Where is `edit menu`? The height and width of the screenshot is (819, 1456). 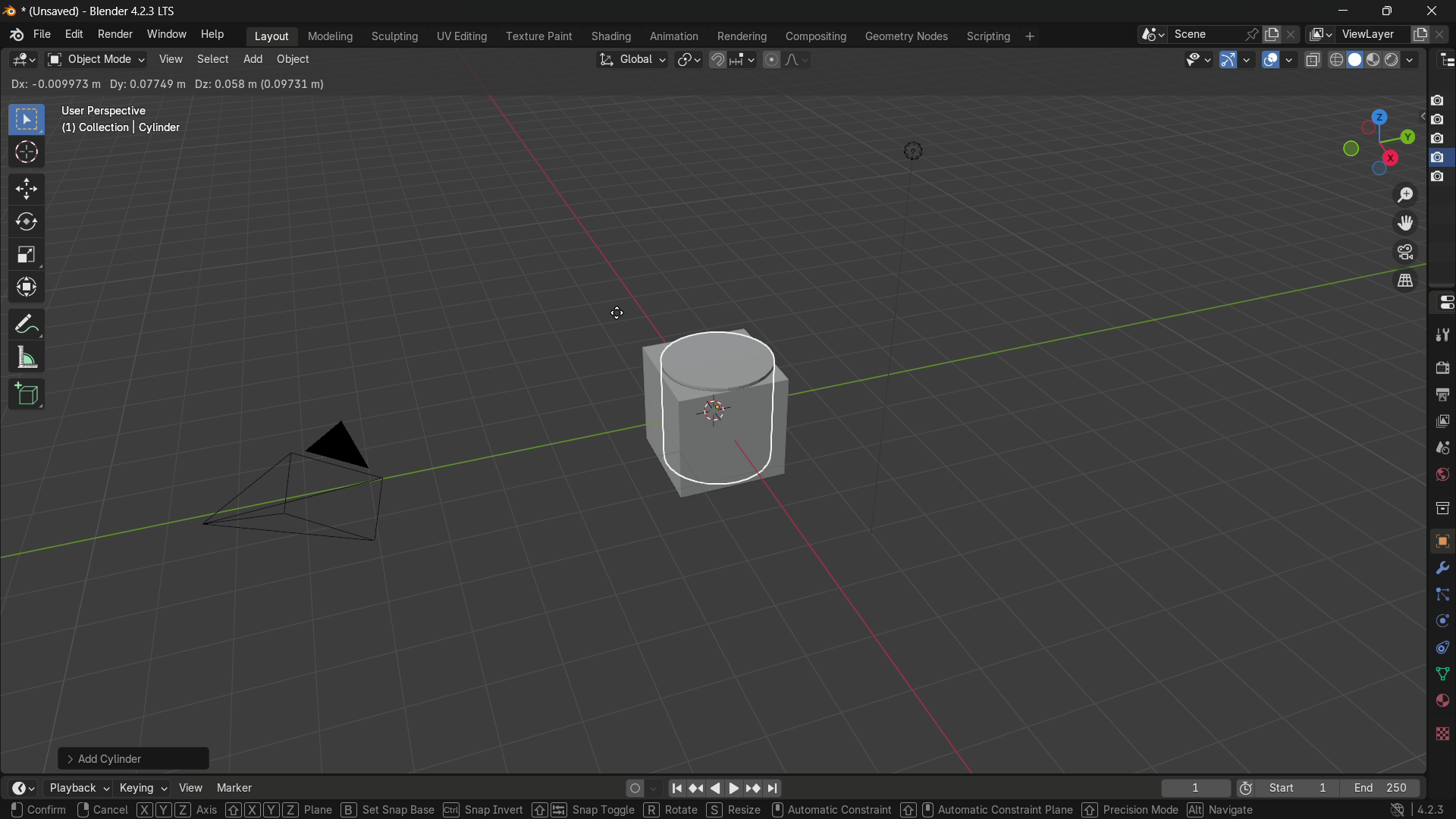
edit menu is located at coordinates (74, 35).